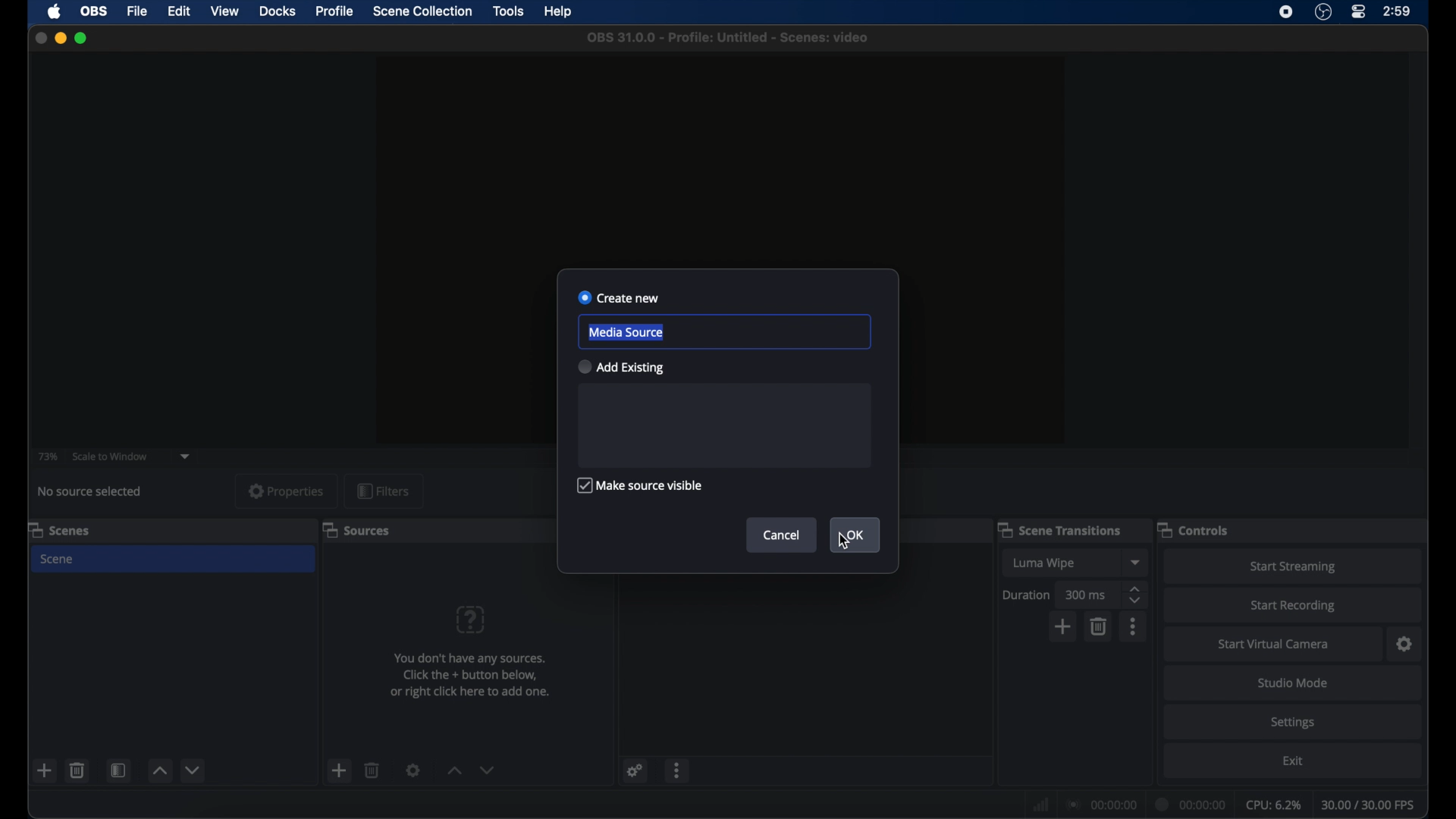  Describe the element at coordinates (1192, 529) in the screenshot. I see `controls` at that location.